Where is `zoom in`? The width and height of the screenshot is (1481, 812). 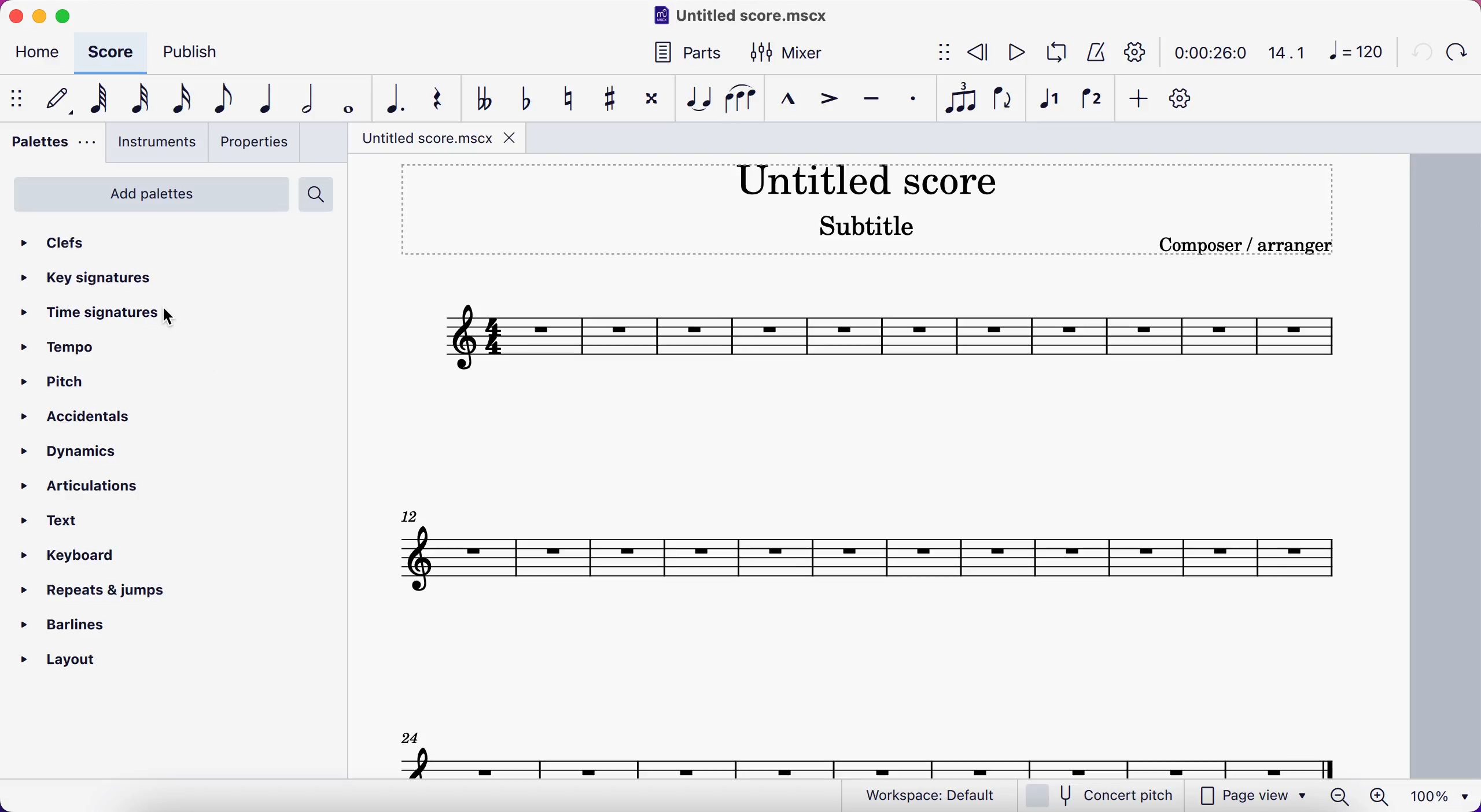
zoom in is located at coordinates (1385, 796).